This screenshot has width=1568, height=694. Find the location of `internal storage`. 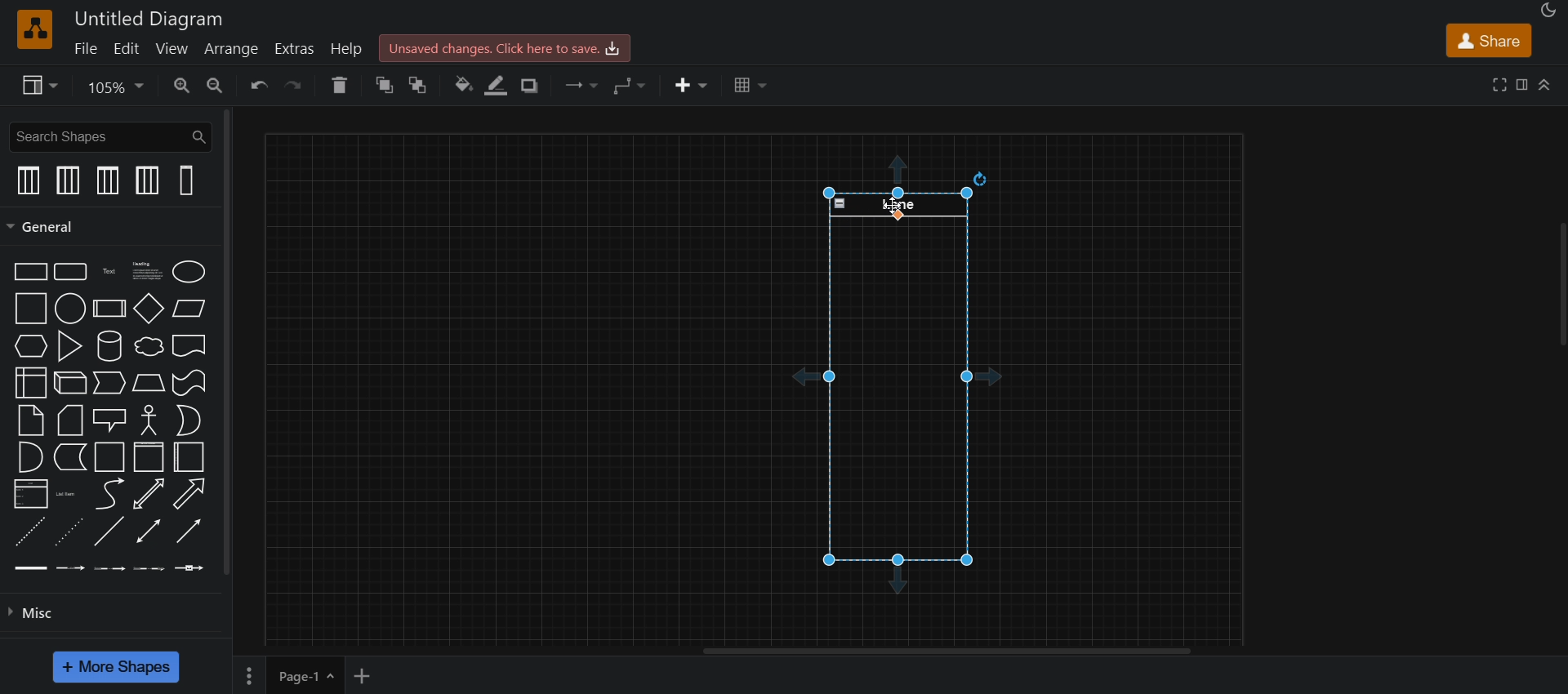

internal storage is located at coordinates (30, 383).